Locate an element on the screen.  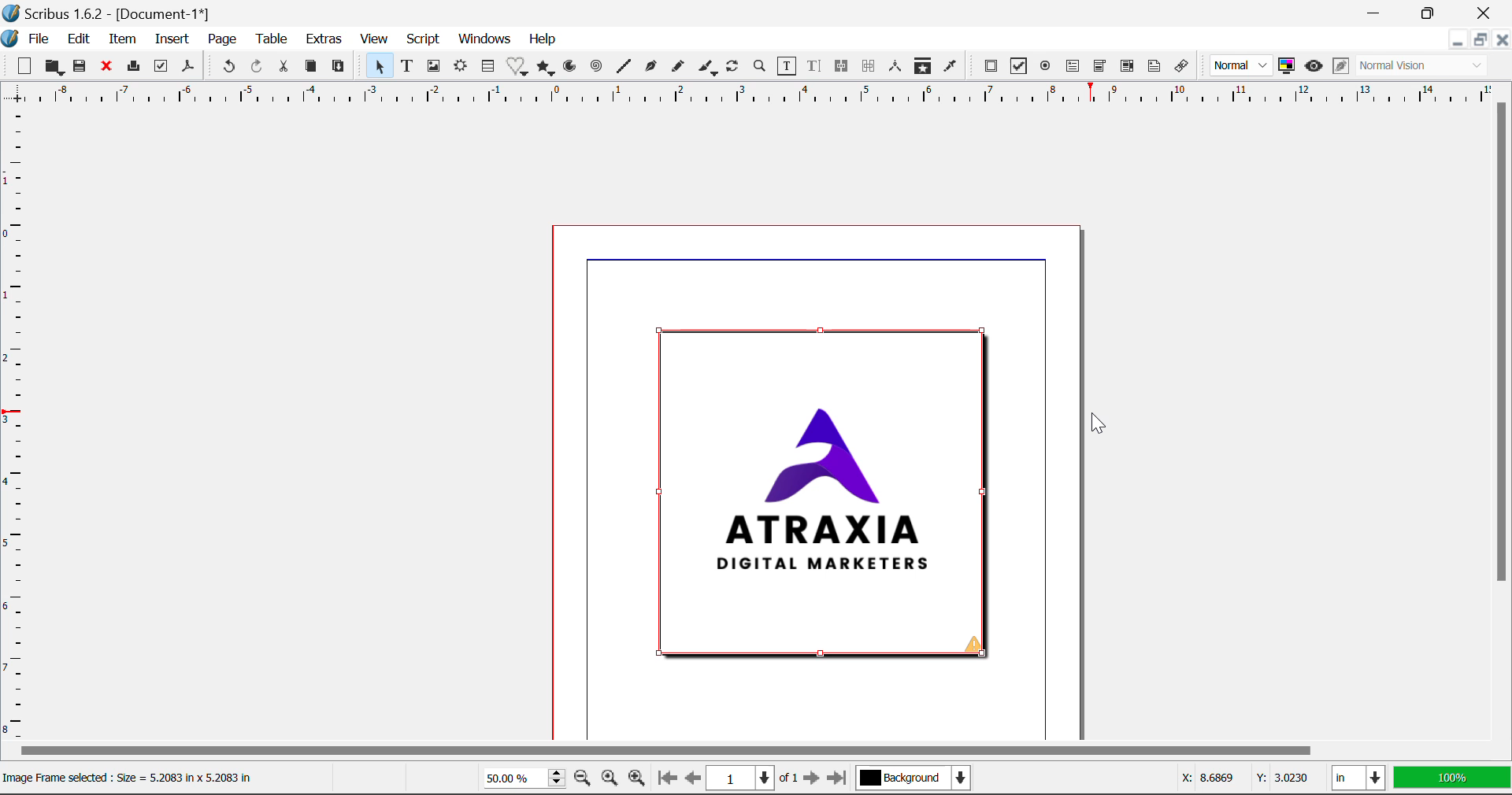
Copy Item Properties is located at coordinates (921, 66).